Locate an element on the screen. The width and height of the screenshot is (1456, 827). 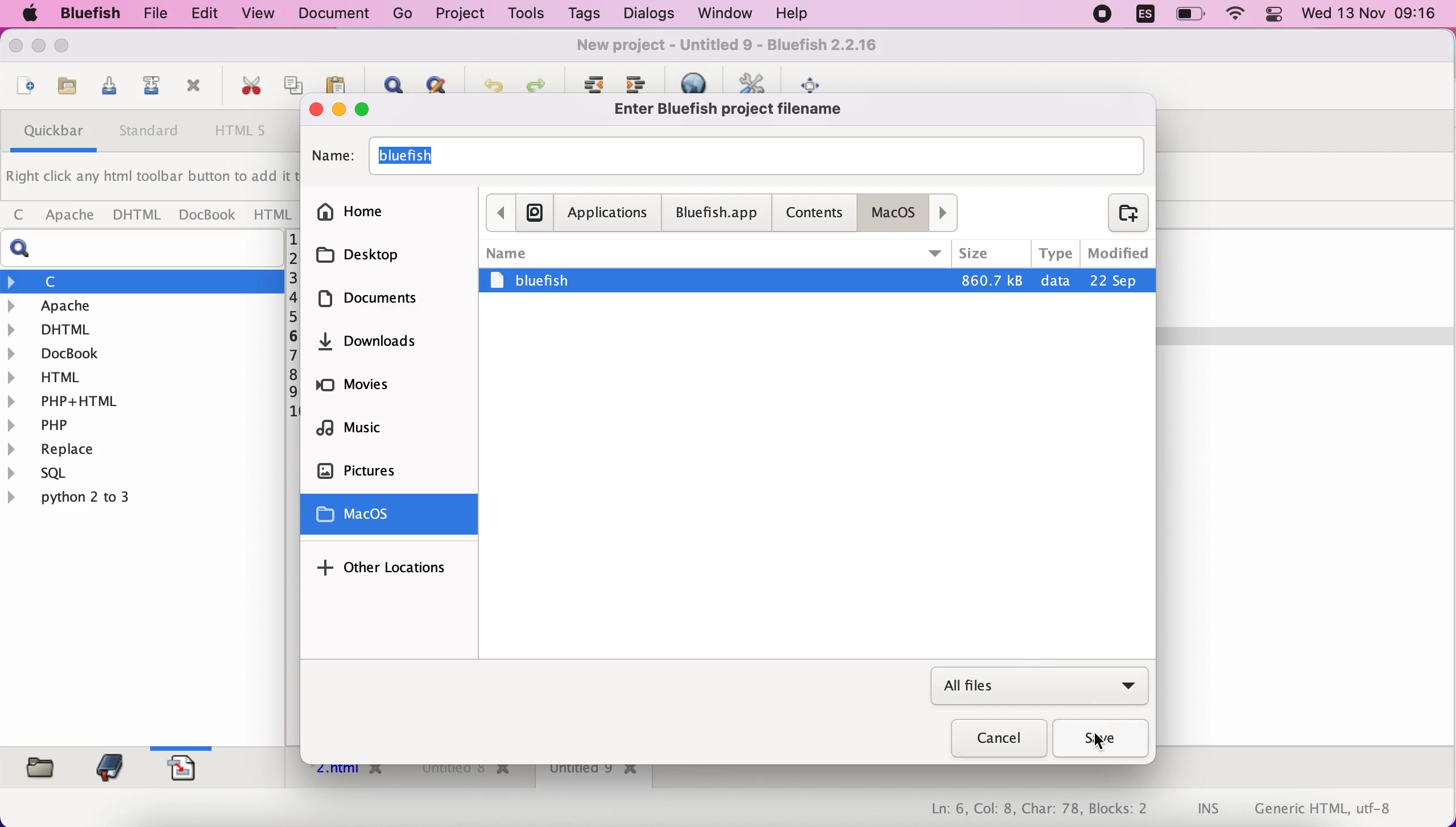
applications is located at coordinates (608, 213).